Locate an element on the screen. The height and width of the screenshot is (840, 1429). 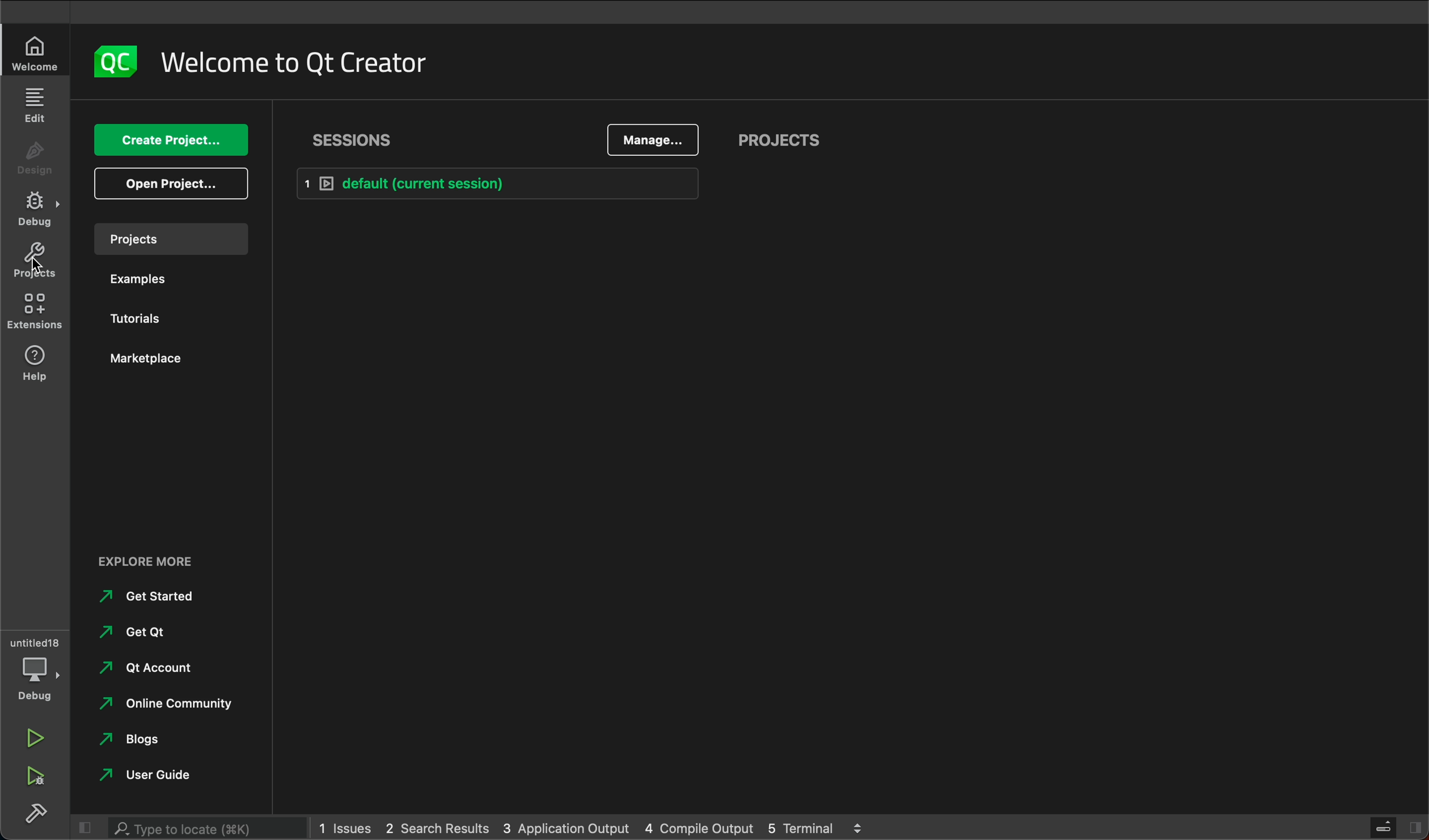
close slidebar is located at coordinates (1395, 826).